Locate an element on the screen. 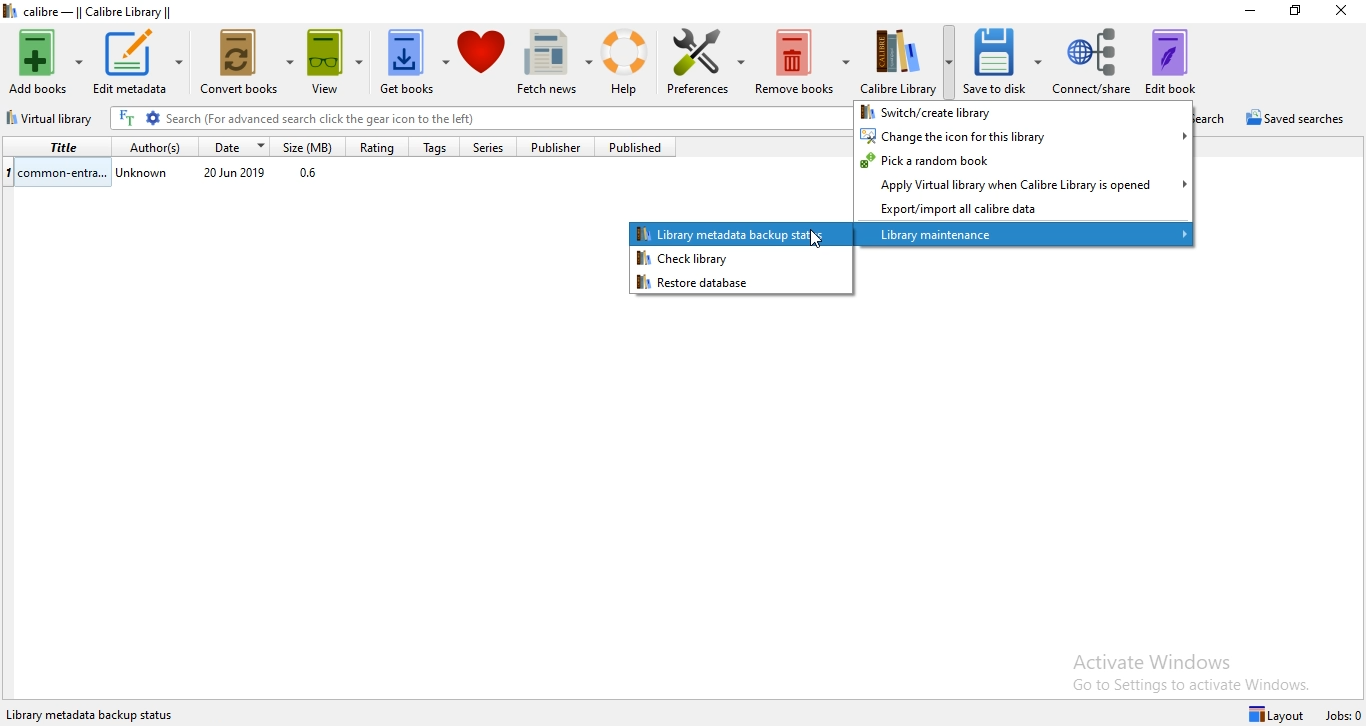 This screenshot has width=1366, height=726. Close is located at coordinates (1339, 15).